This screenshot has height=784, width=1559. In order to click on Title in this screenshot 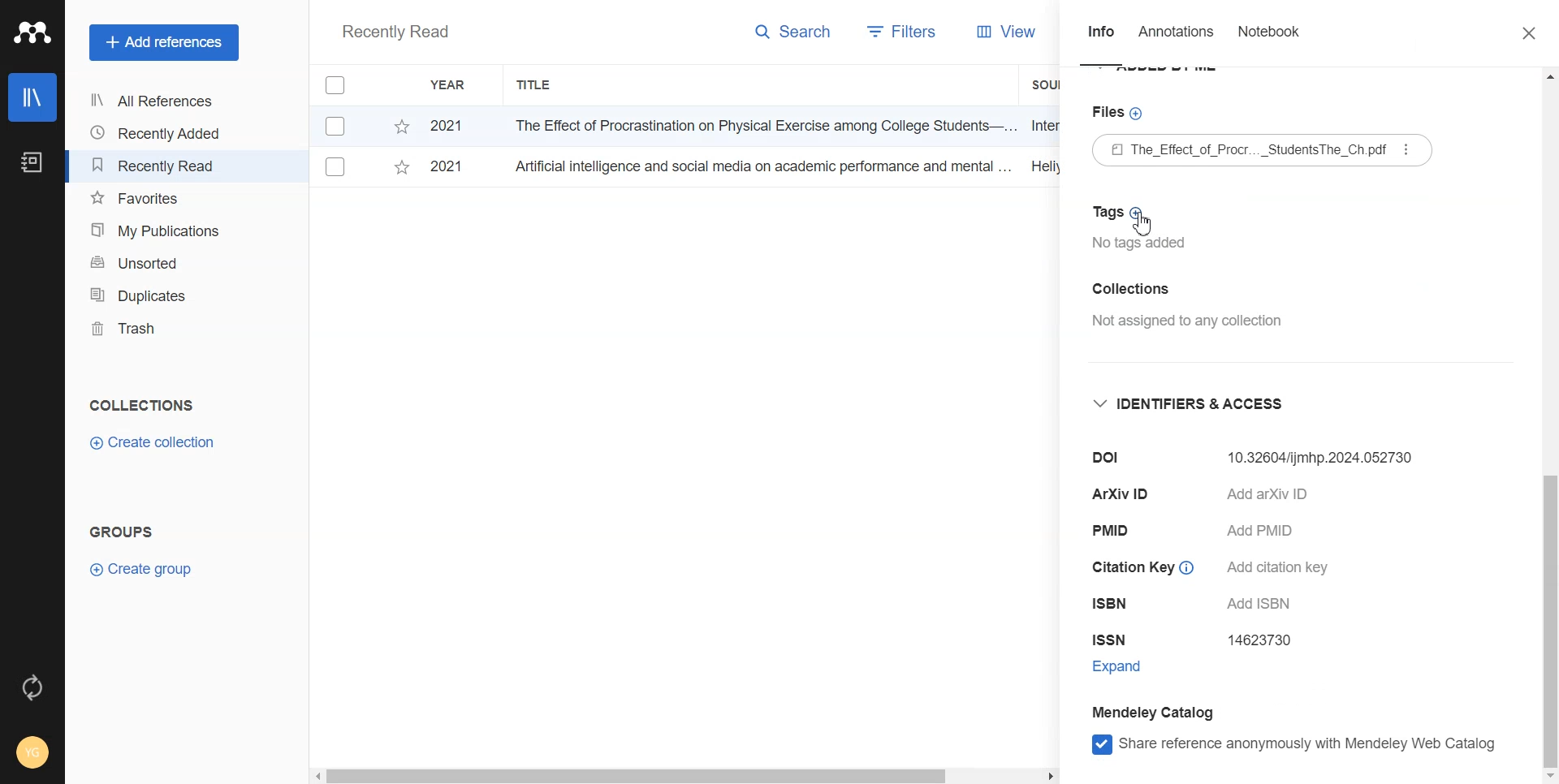, I will do `click(535, 85)`.